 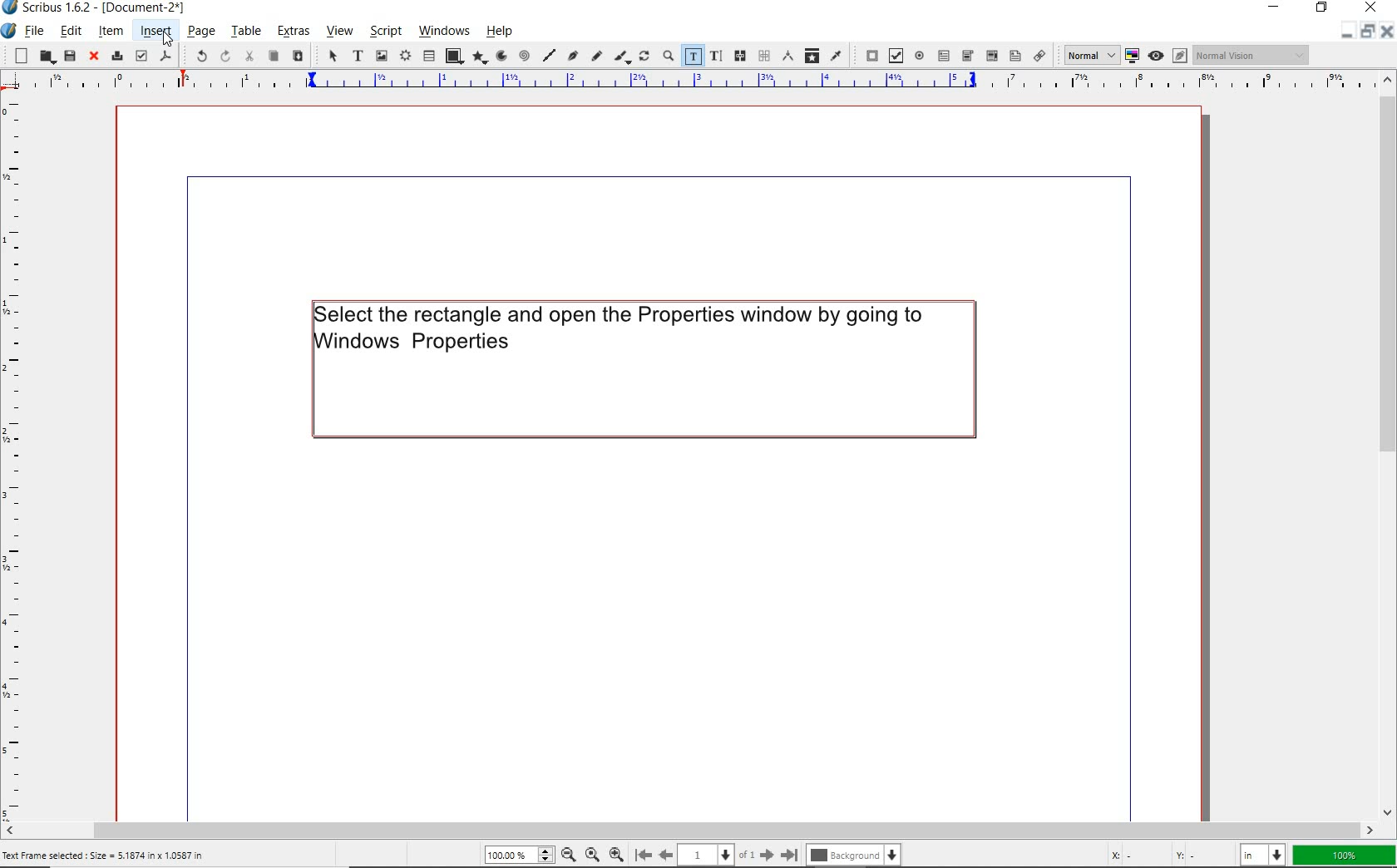 I want to click on text frame, so click(x=358, y=57).